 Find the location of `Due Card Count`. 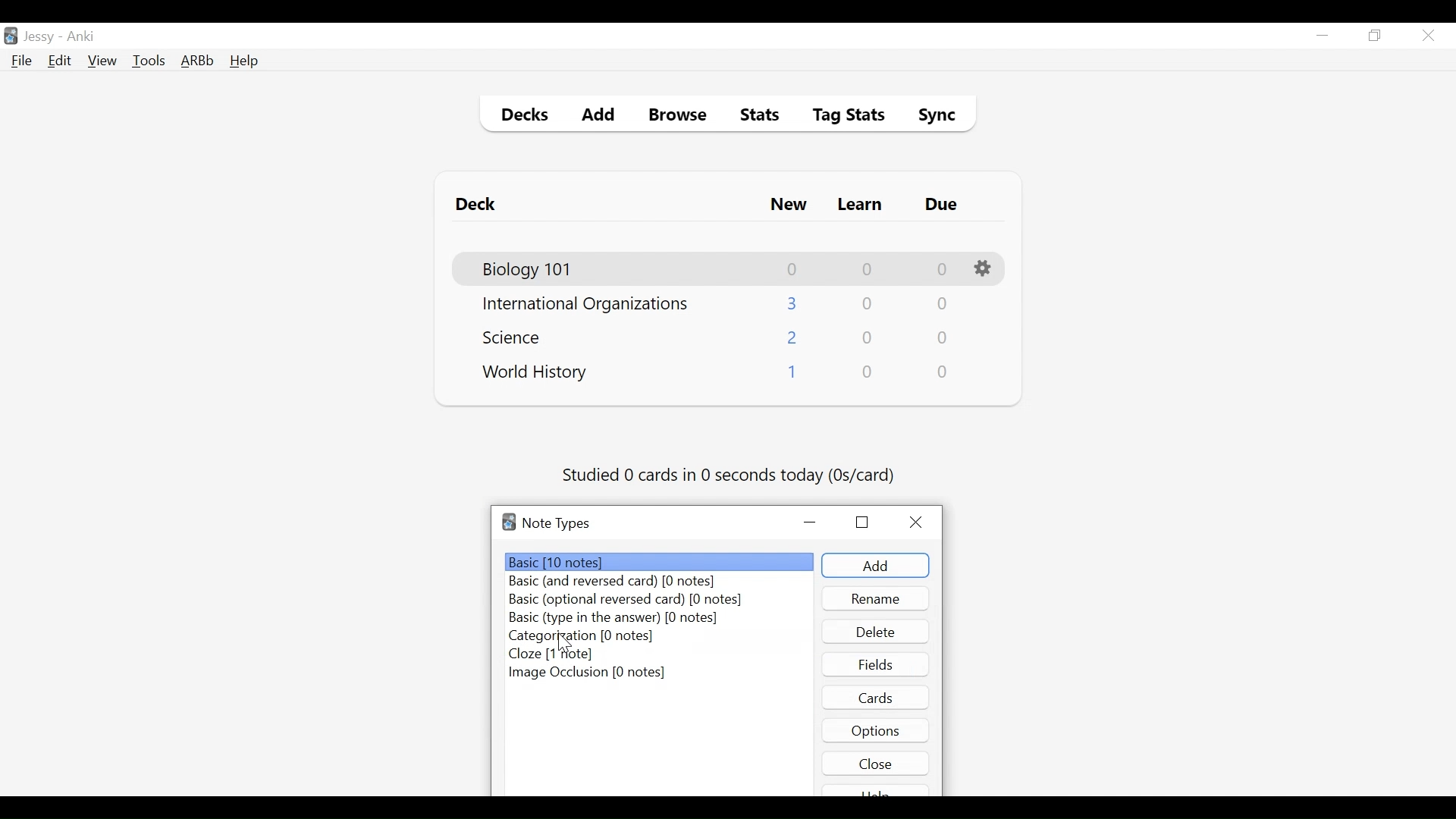

Due Card Count is located at coordinates (944, 372).